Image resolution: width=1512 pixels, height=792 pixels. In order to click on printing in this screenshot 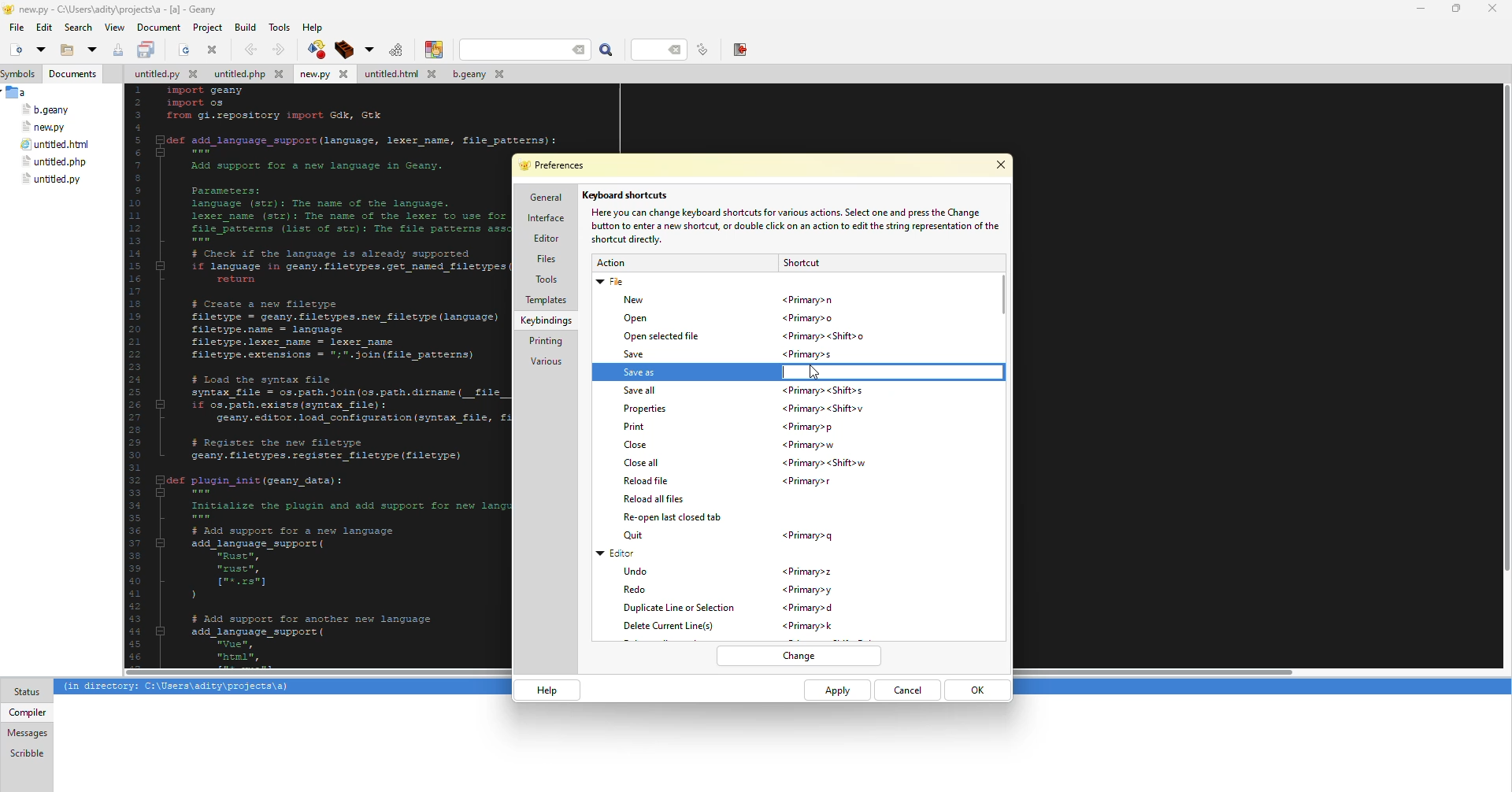, I will do `click(543, 342)`.